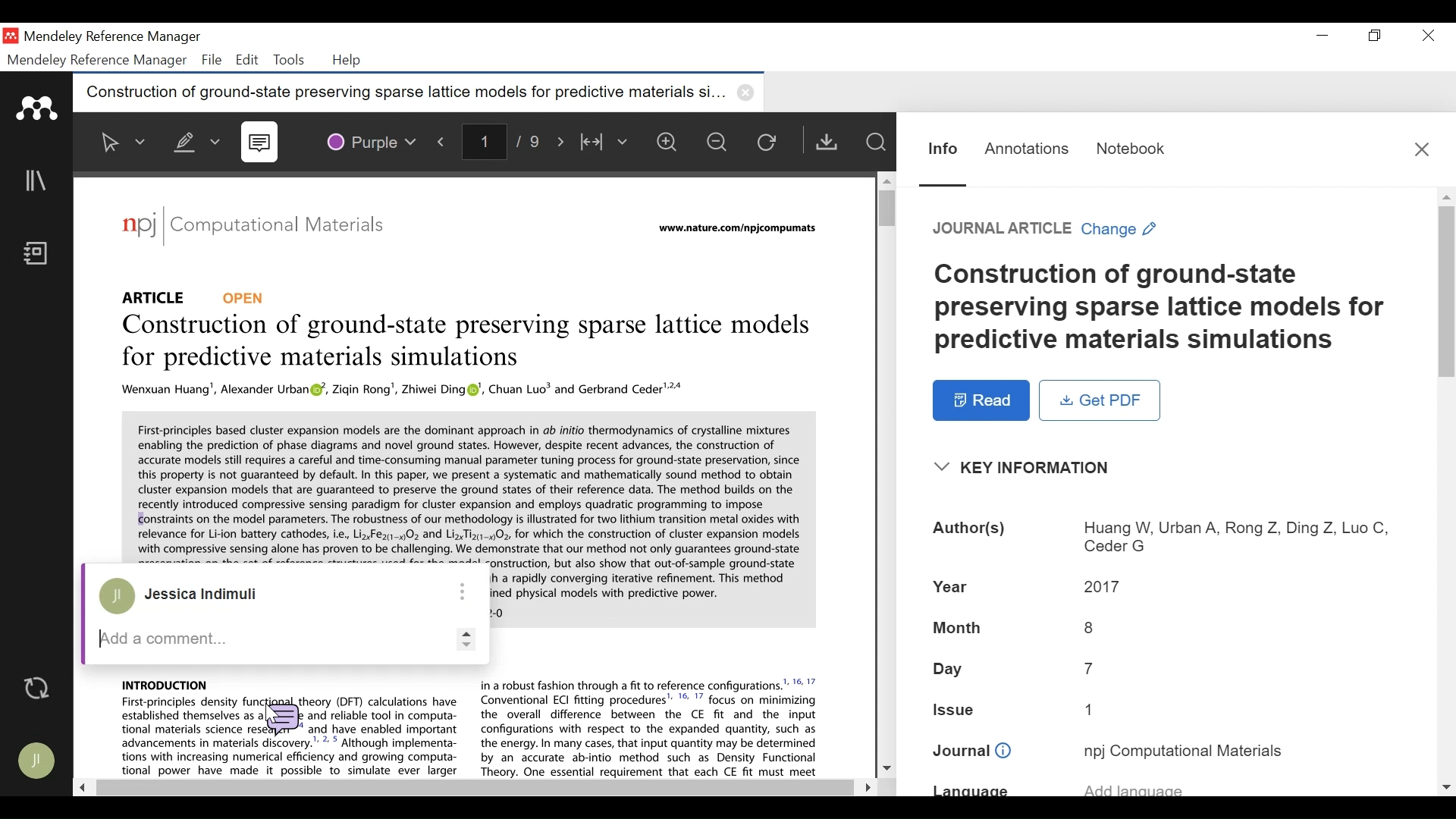 The image size is (1456, 819). What do you see at coordinates (263, 638) in the screenshot?
I see `Add a comment` at bounding box center [263, 638].